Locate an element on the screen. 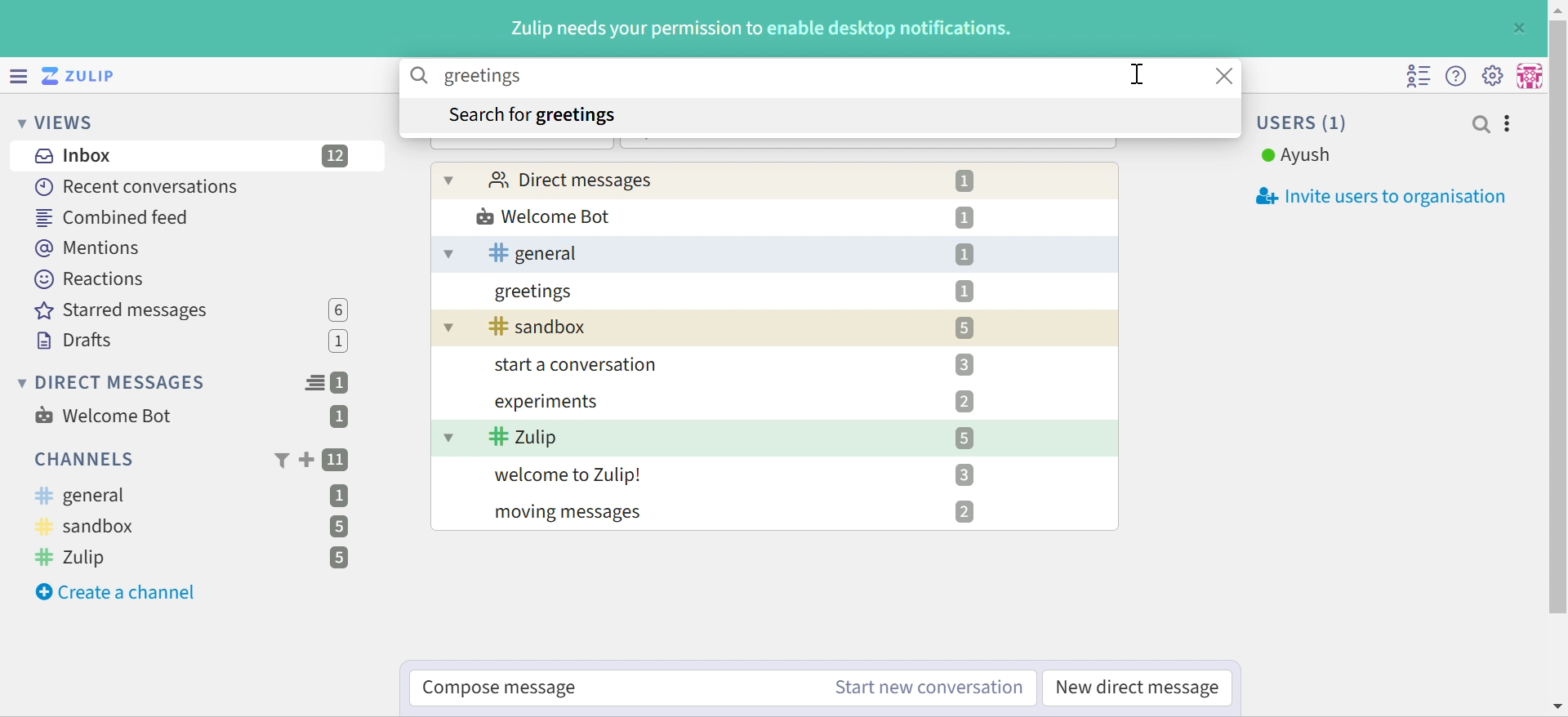 This screenshot has width=1568, height=717. 1 is located at coordinates (341, 343).